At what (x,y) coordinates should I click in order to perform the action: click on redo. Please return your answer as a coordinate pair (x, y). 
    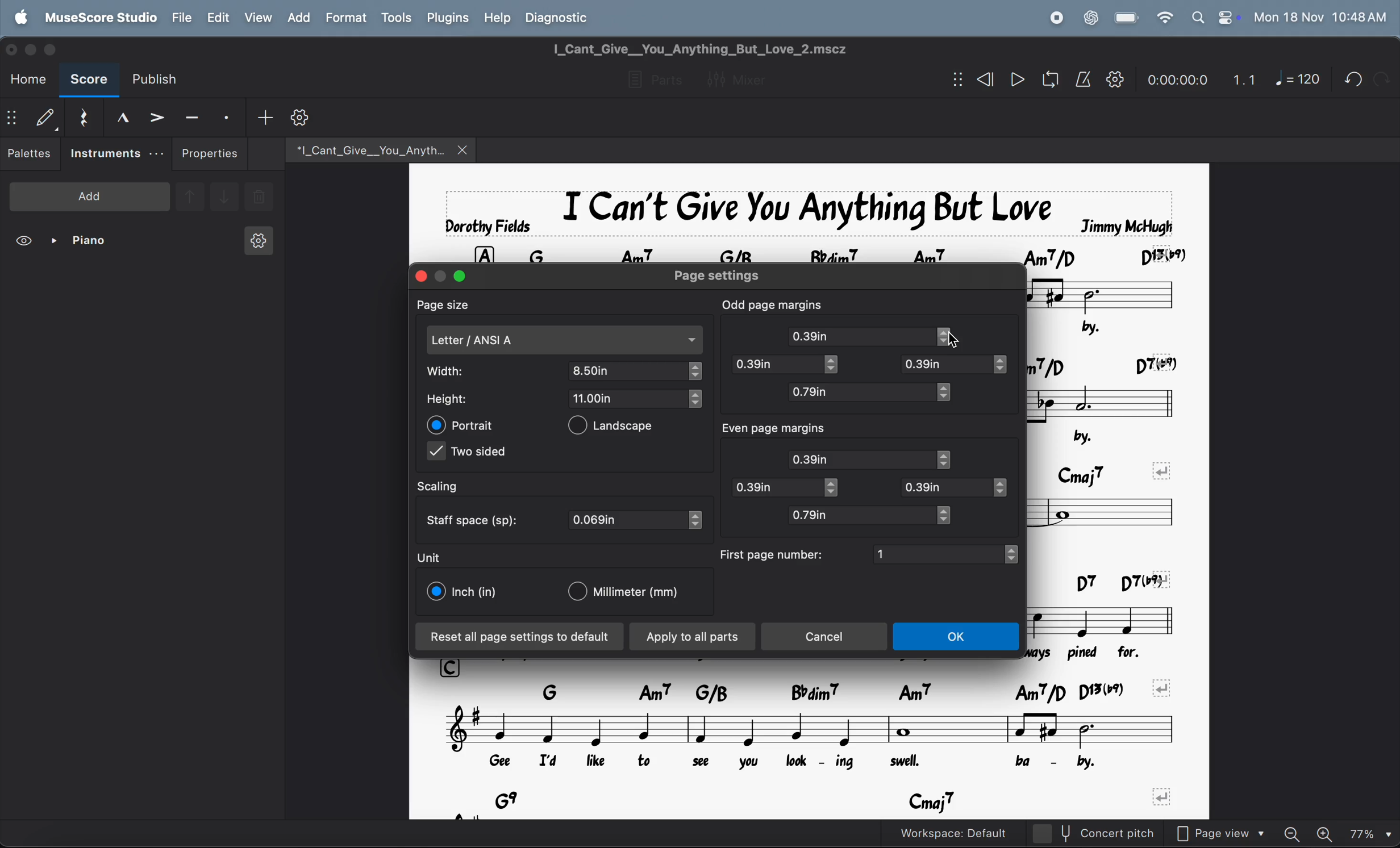
    Looking at the image, I should click on (1349, 79).